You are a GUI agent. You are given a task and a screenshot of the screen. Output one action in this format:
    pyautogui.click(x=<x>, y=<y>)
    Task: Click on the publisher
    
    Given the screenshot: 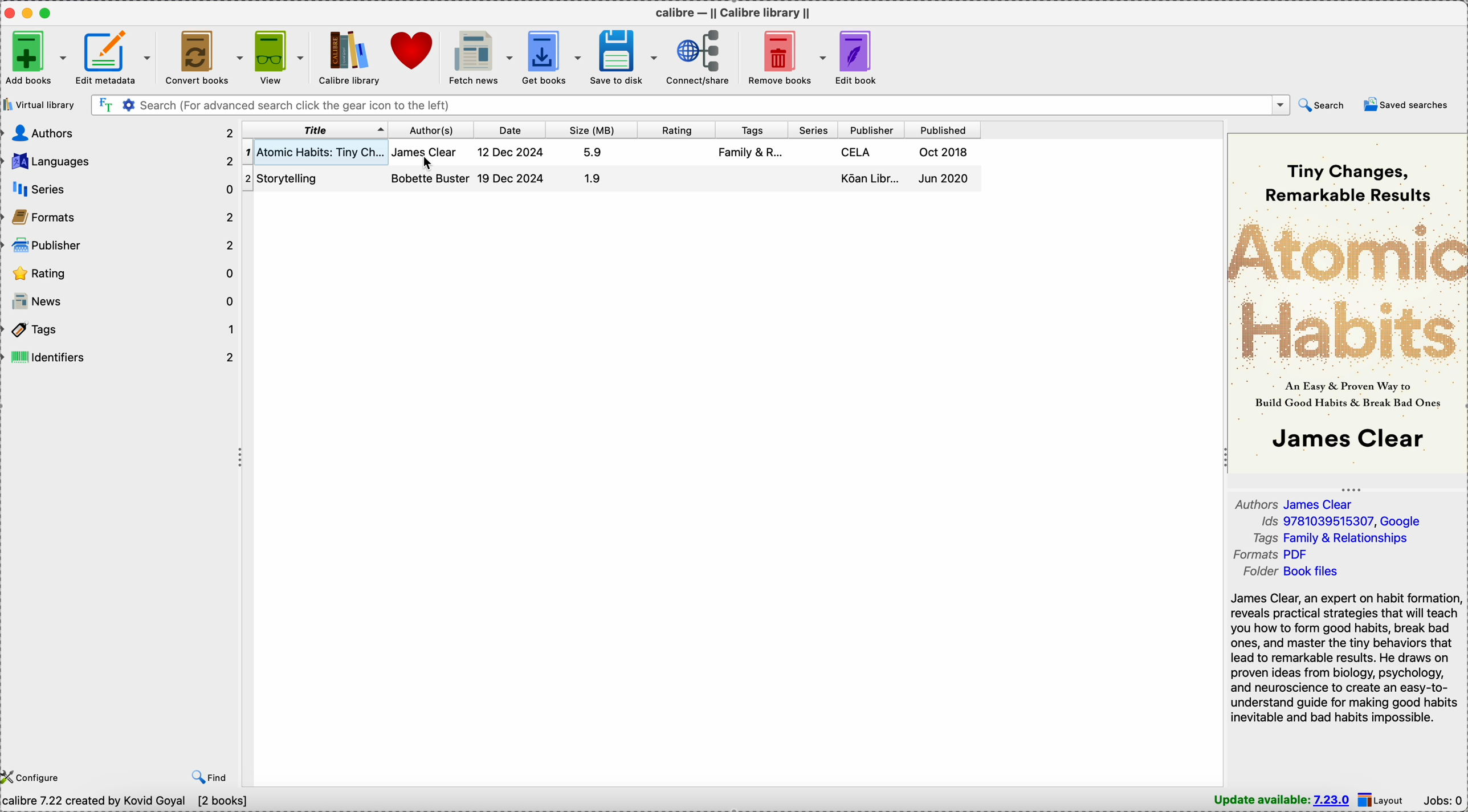 What is the action you would take?
    pyautogui.click(x=871, y=130)
    